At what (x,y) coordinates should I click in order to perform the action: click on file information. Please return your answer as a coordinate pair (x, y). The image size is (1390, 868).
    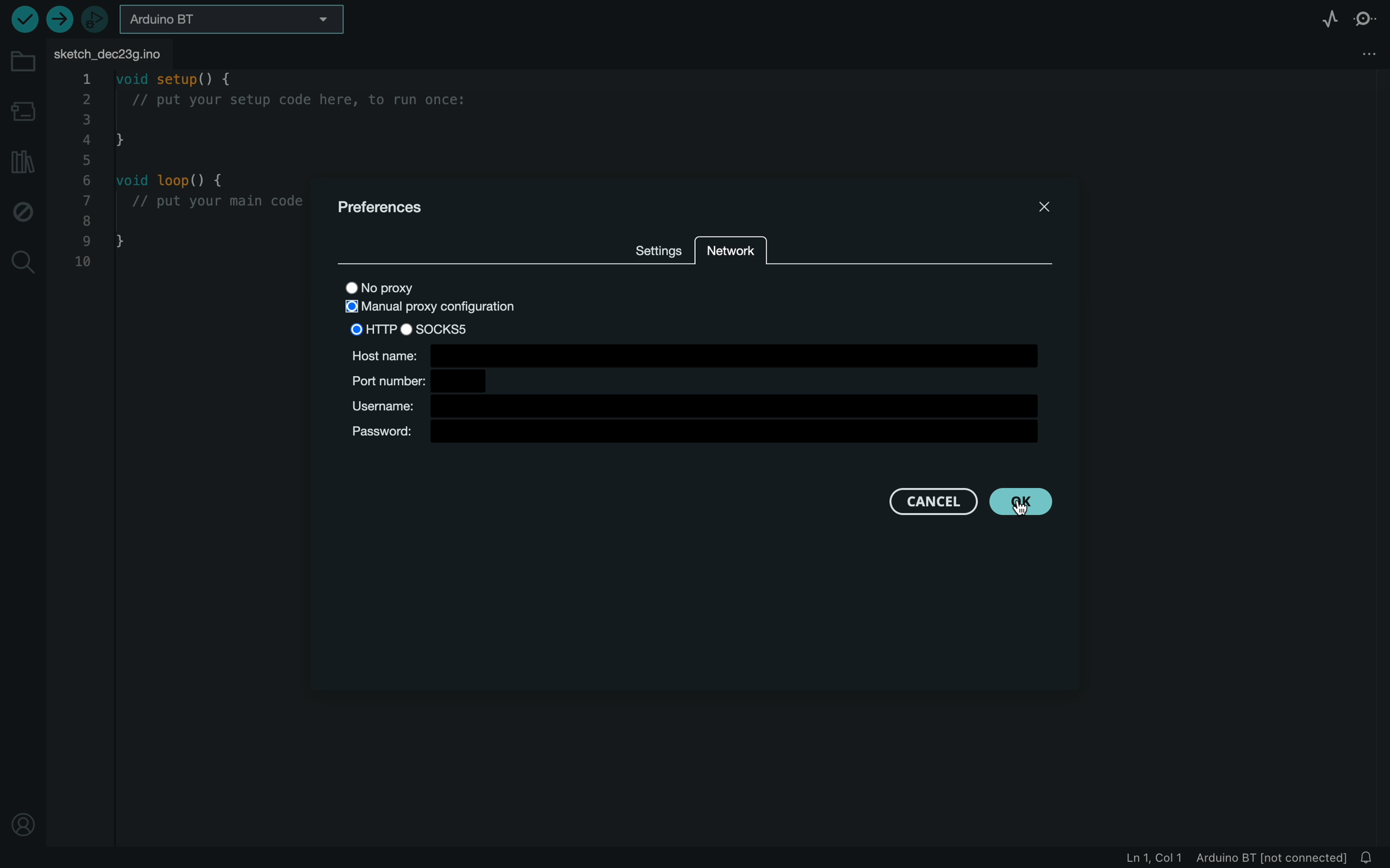
    Looking at the image, I should click on (1232, 856).